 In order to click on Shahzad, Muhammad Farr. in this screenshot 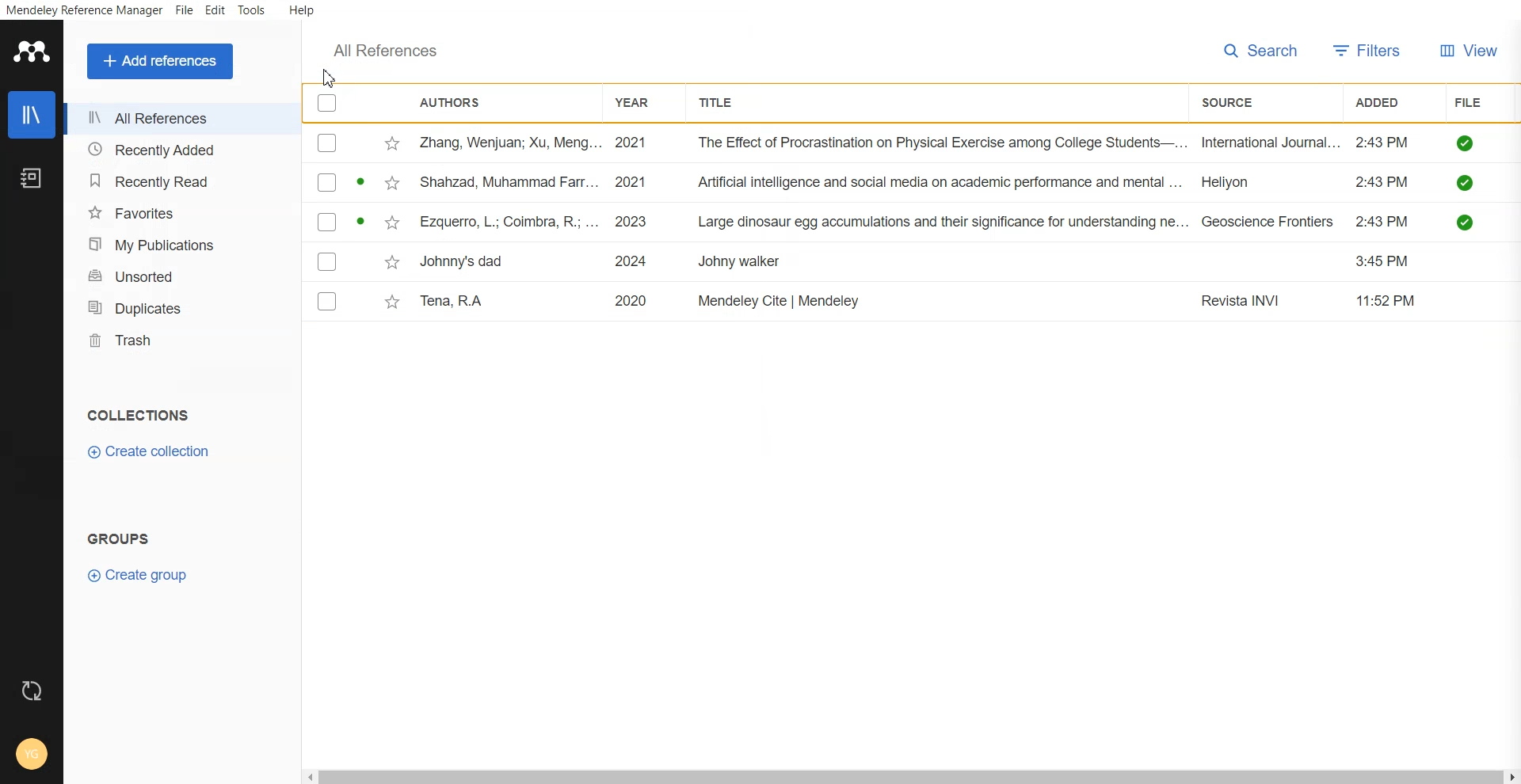, I will do `click(513, 181)`.